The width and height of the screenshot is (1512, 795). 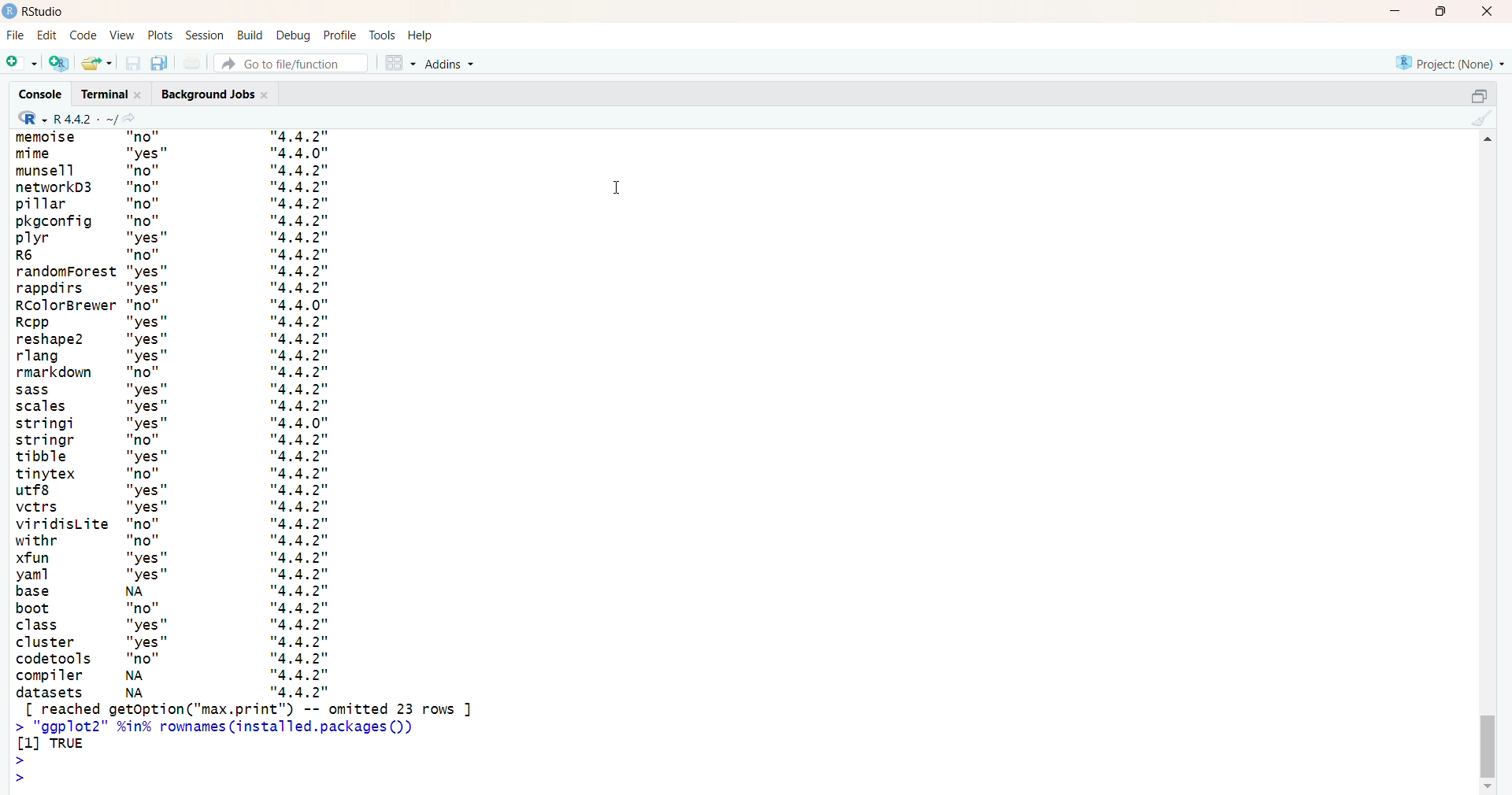 What do you see at coordinates (58, 63) in the screenshot?
I see `create a project` at bounding box center [58, 63].